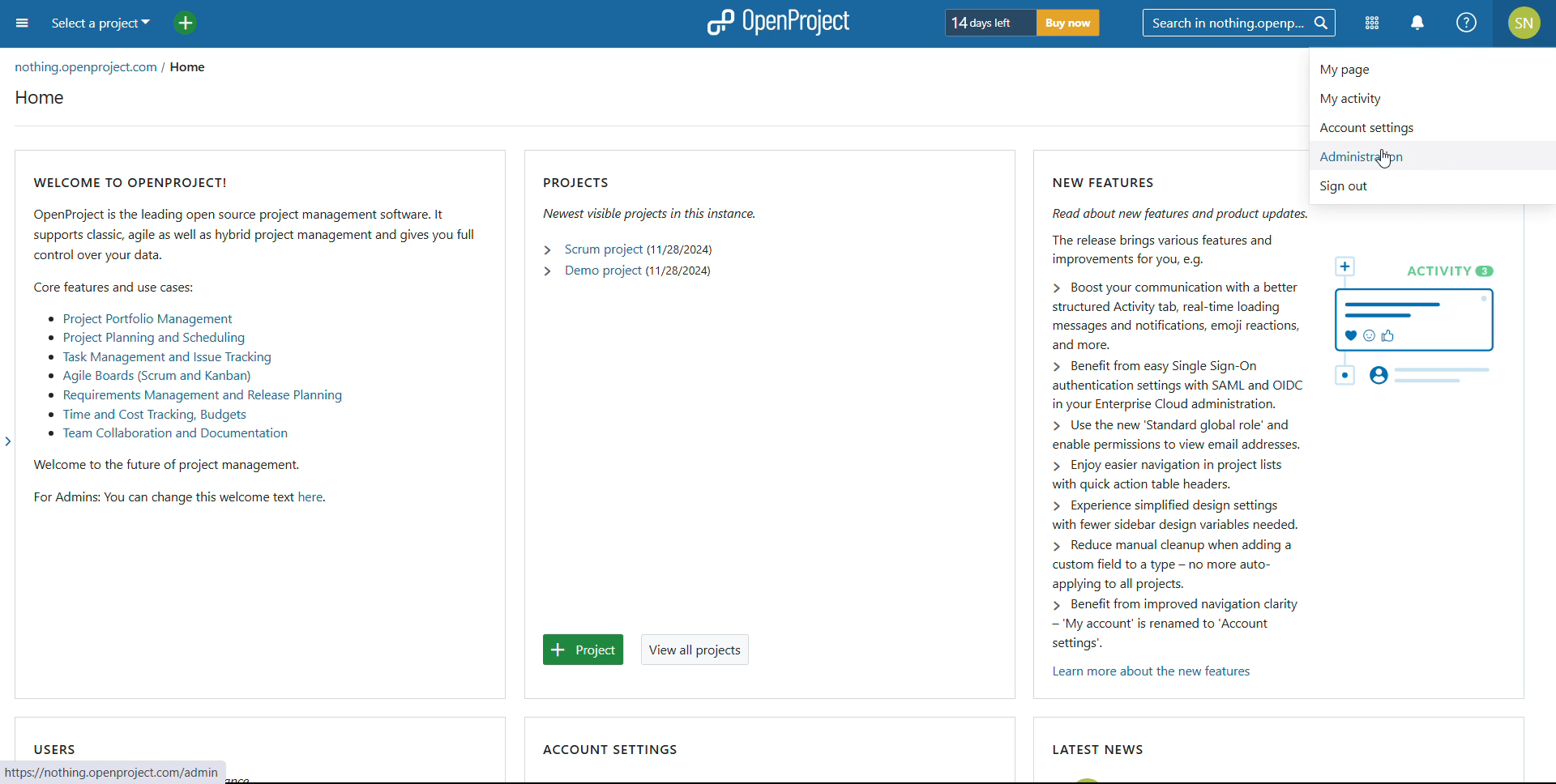 Image resolution: width=1556 pixels, height=784 pixels. I want to click on account settings, so click(1432, 126).